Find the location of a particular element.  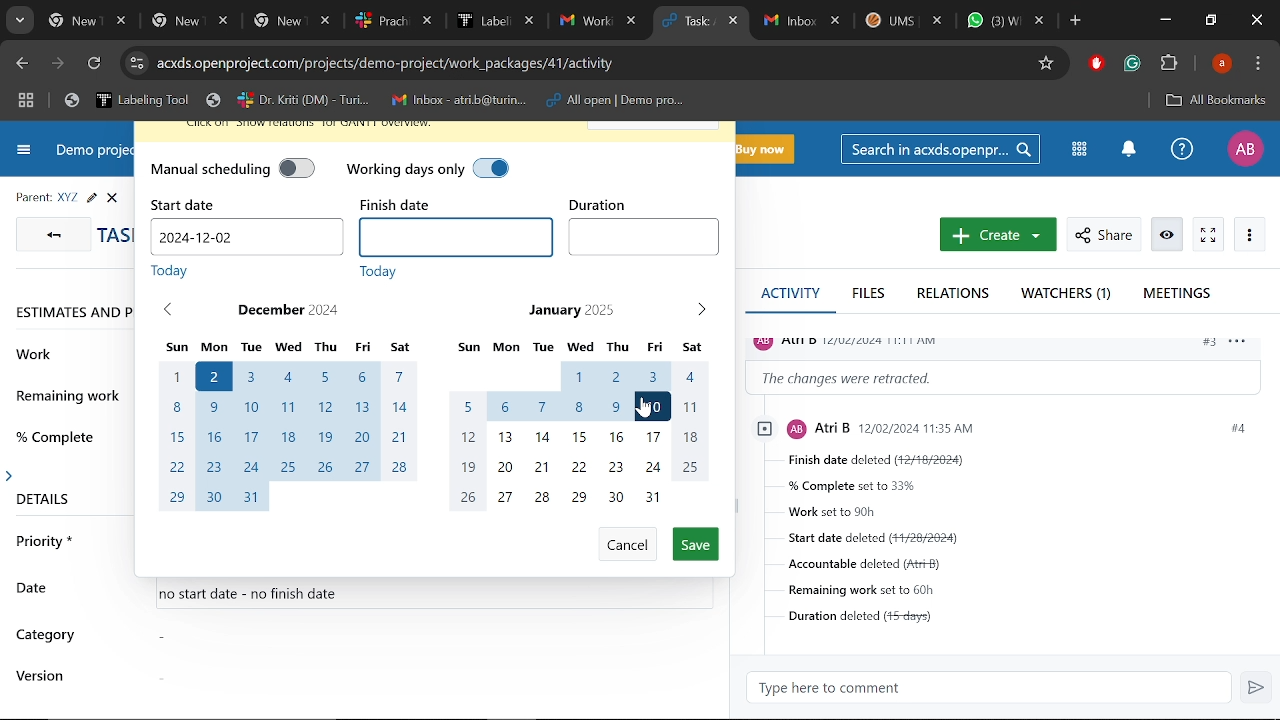

scrollbar is located at coordinates (728, 569).